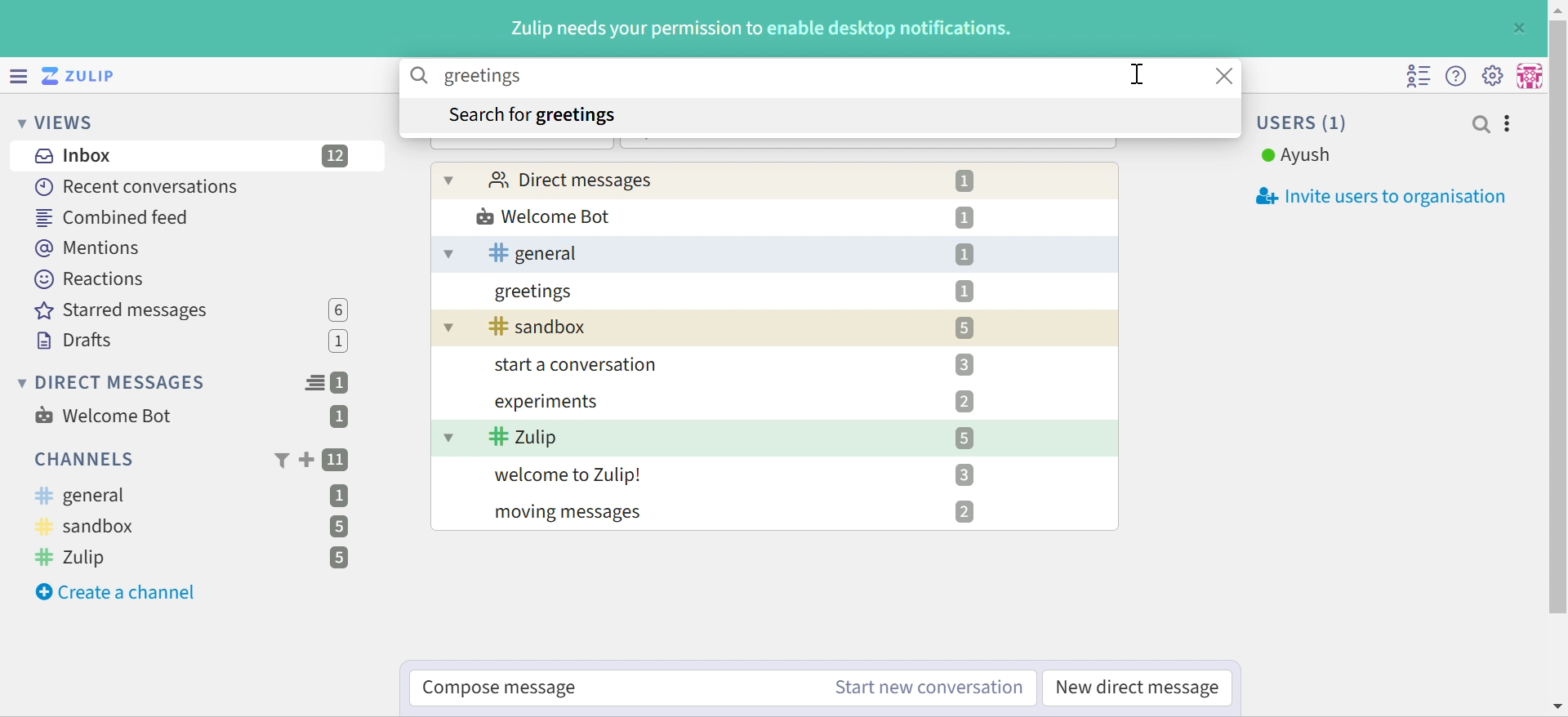  I want to click on DIRECT MESSAGES, so click(113, 383).